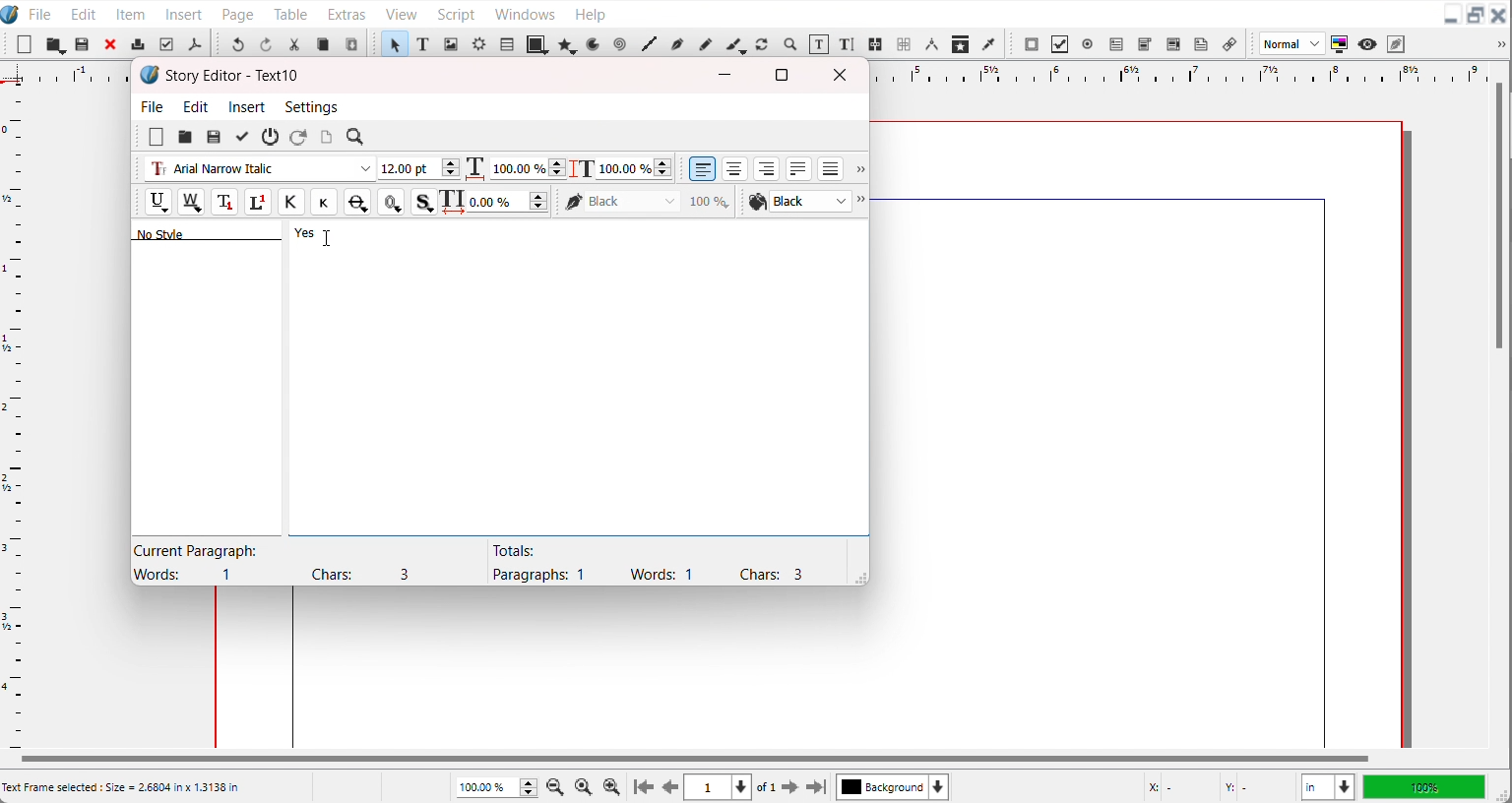 The height and width of the screenshot is (803, 1512). I want to click on Item, so click(132, 14).